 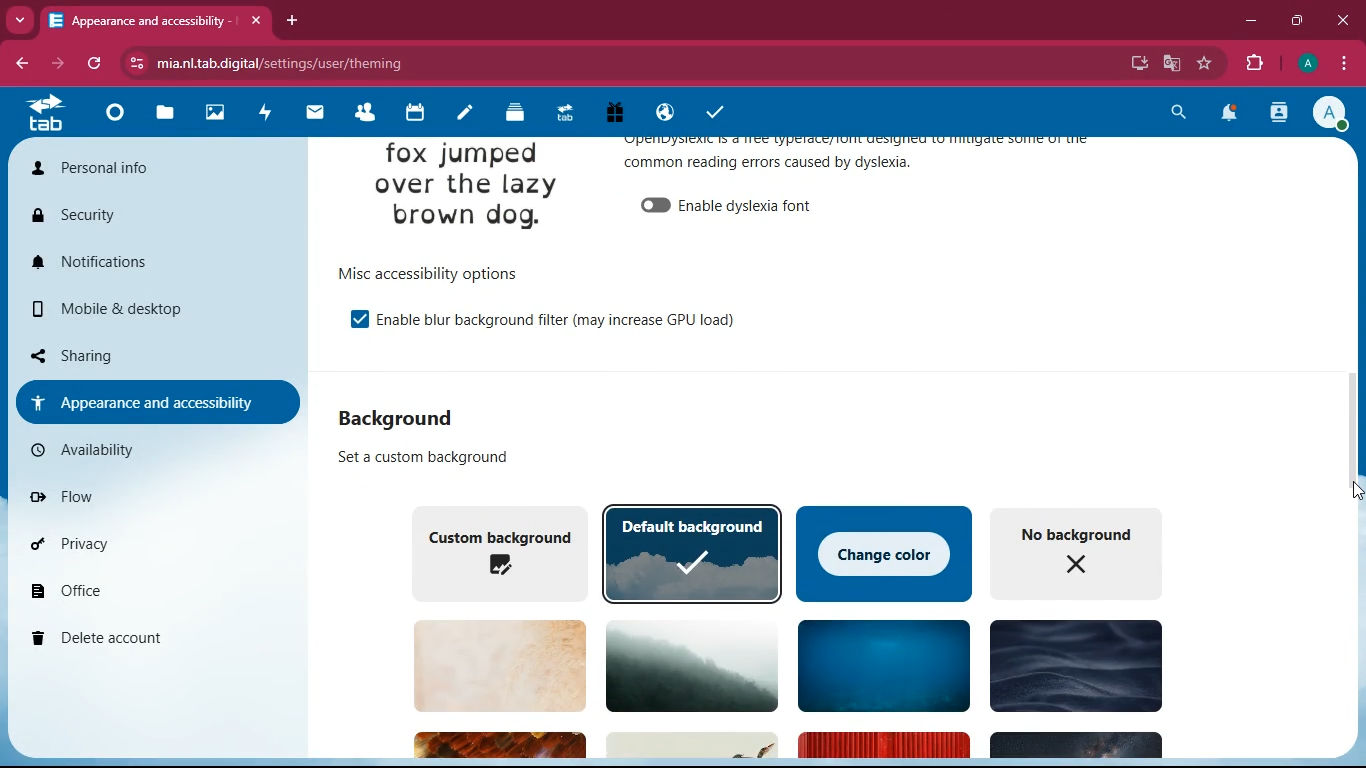 What do you see at coordinates (495, 552) in the screenshot?
I see `custom` at bounding box center [495, 552].